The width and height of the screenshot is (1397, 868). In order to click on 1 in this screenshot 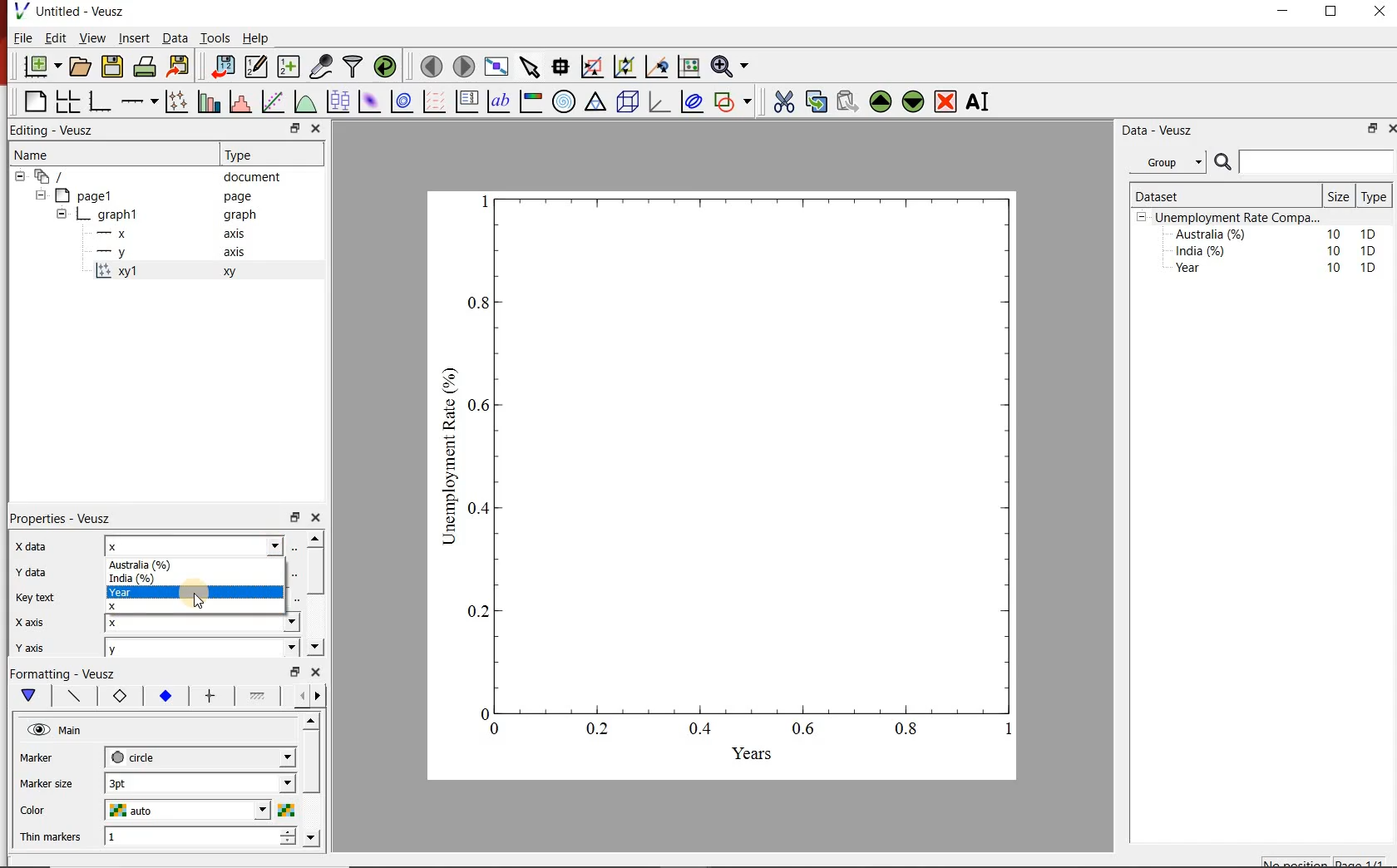, I will do `click(186, 837)`.